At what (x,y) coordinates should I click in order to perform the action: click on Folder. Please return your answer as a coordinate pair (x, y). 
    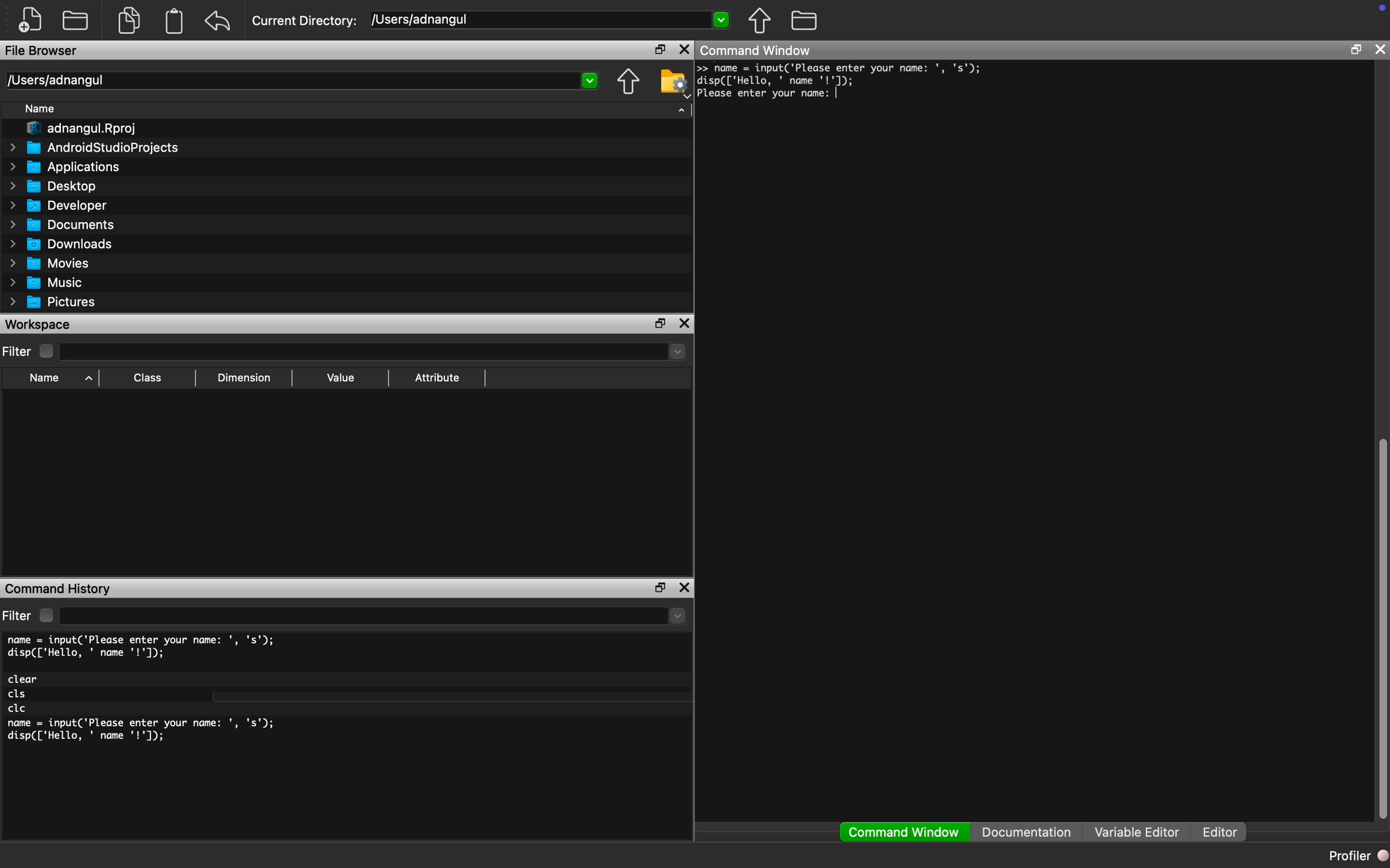
    Looking at the image, I should click on (75, 20).